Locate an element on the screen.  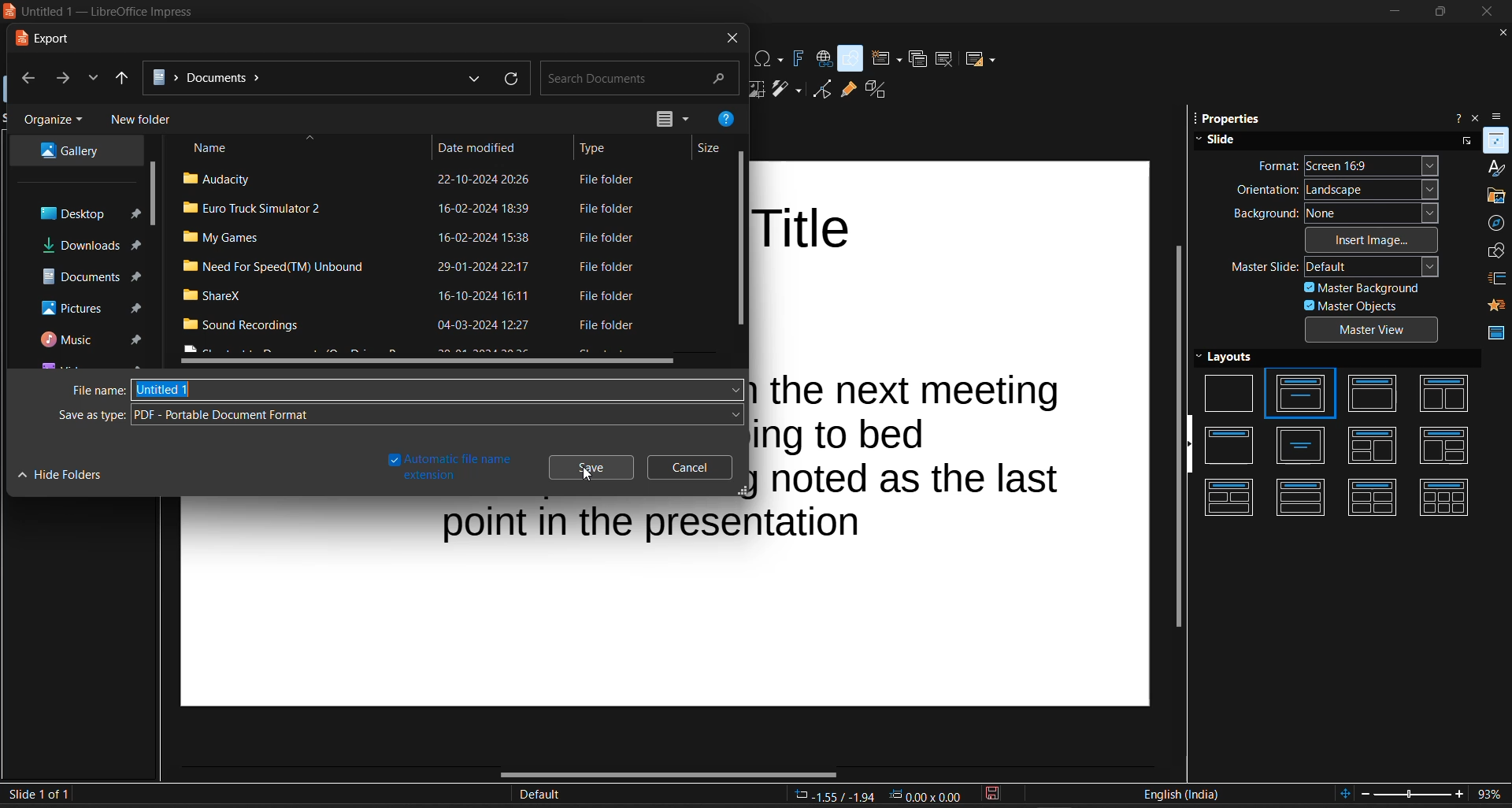
maximize is located at coordinates (1436, 12).